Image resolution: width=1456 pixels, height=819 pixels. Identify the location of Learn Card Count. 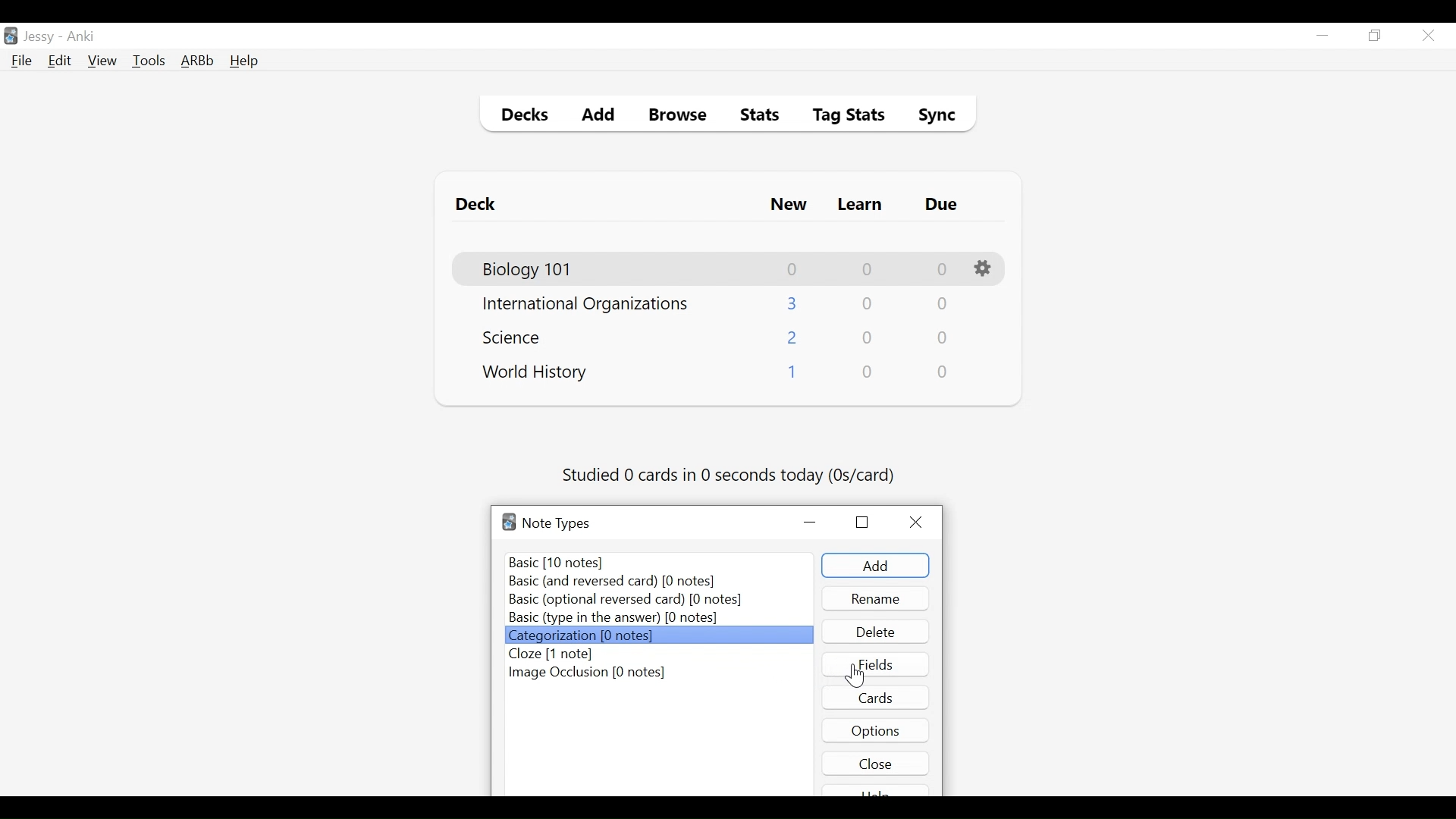
(866, 269).